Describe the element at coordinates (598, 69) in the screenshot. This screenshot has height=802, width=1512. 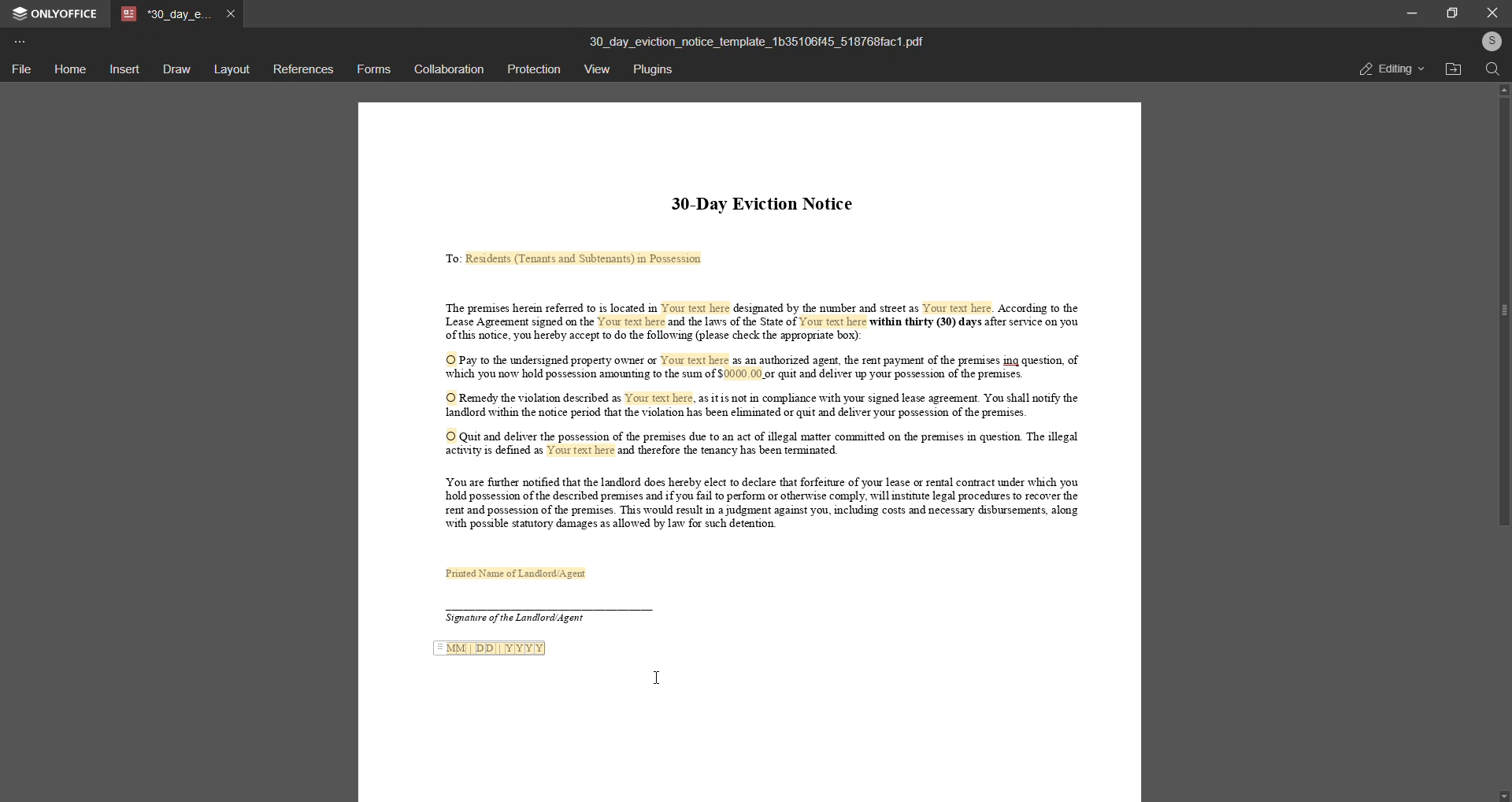
I see `view` at that location.